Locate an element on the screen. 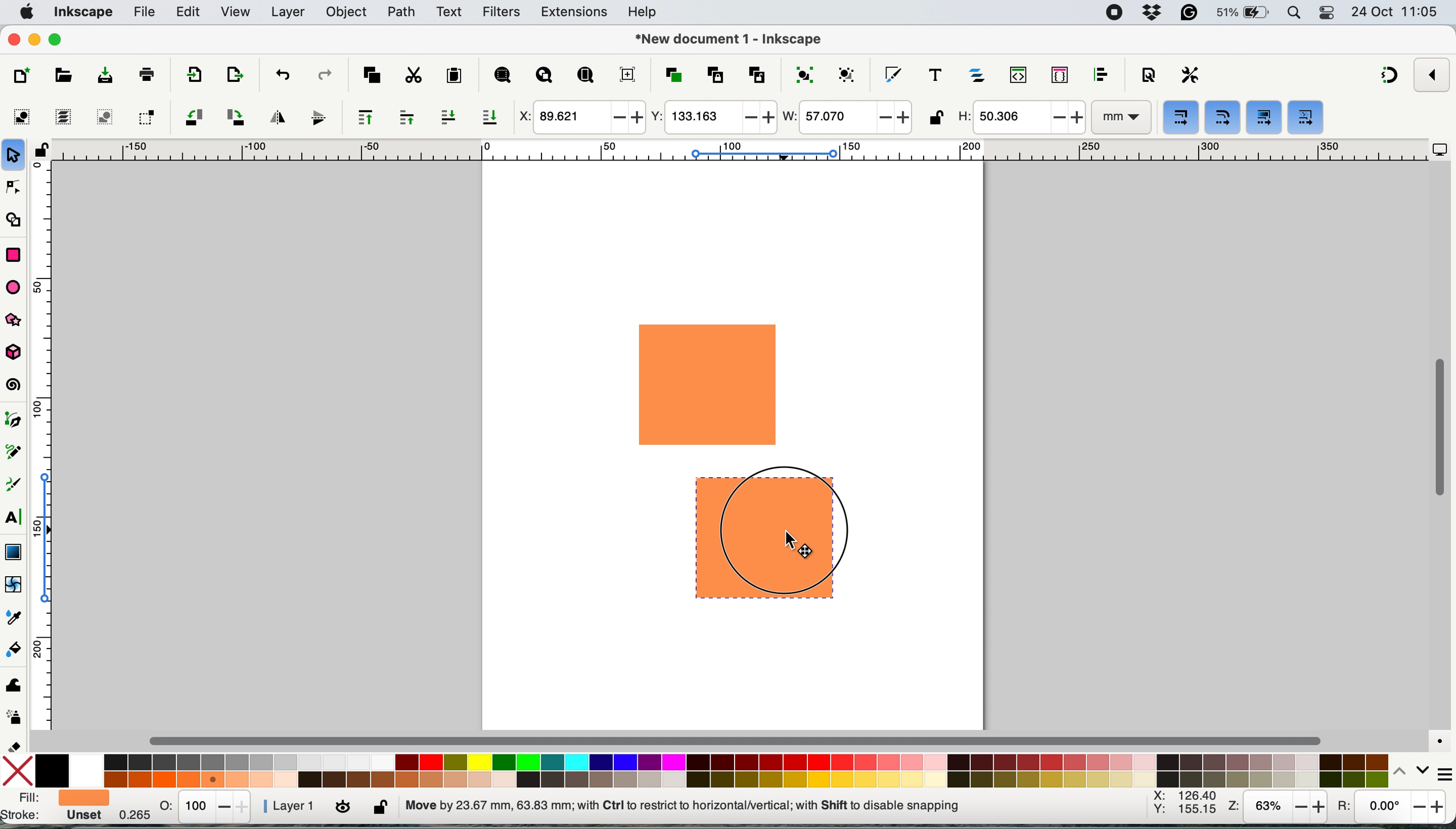 Image resolution: width=1456 pixels, height=829 pixels. open is located at coordinates (62, 77).